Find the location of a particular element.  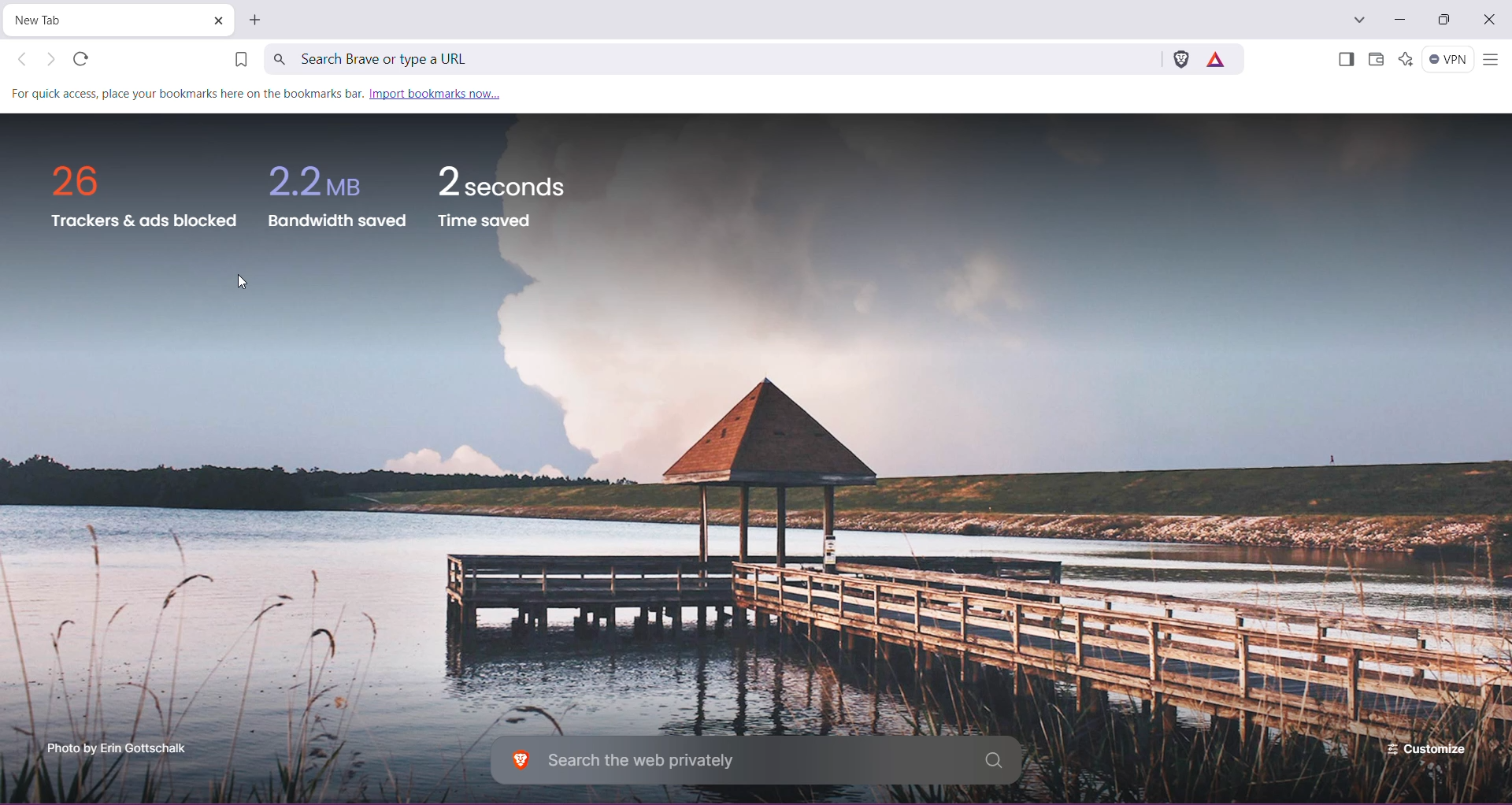

trackers and ads blocked is located at coordinates (145, 198).